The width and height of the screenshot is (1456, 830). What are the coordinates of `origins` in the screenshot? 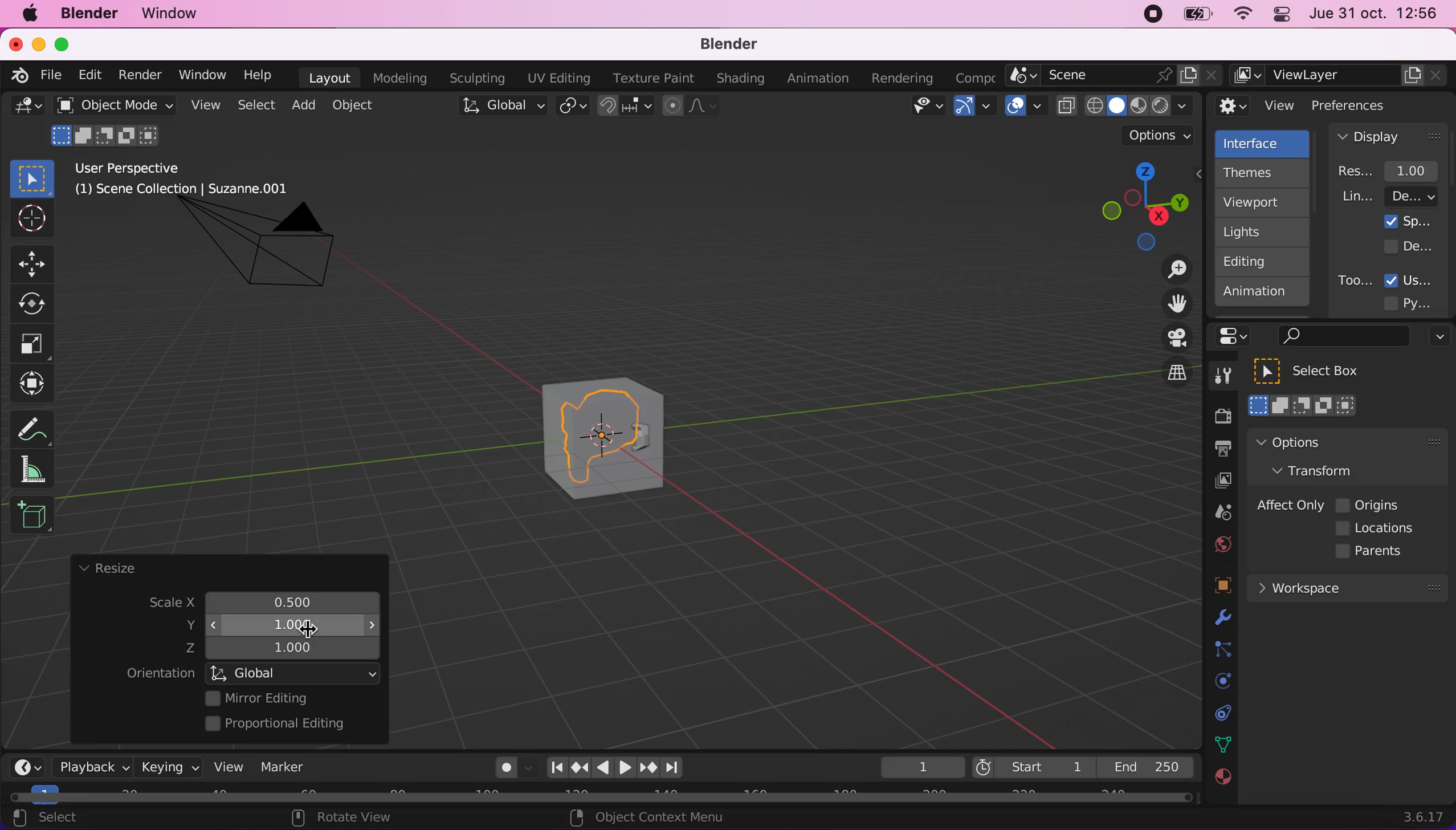 It's located at (1369, 503).